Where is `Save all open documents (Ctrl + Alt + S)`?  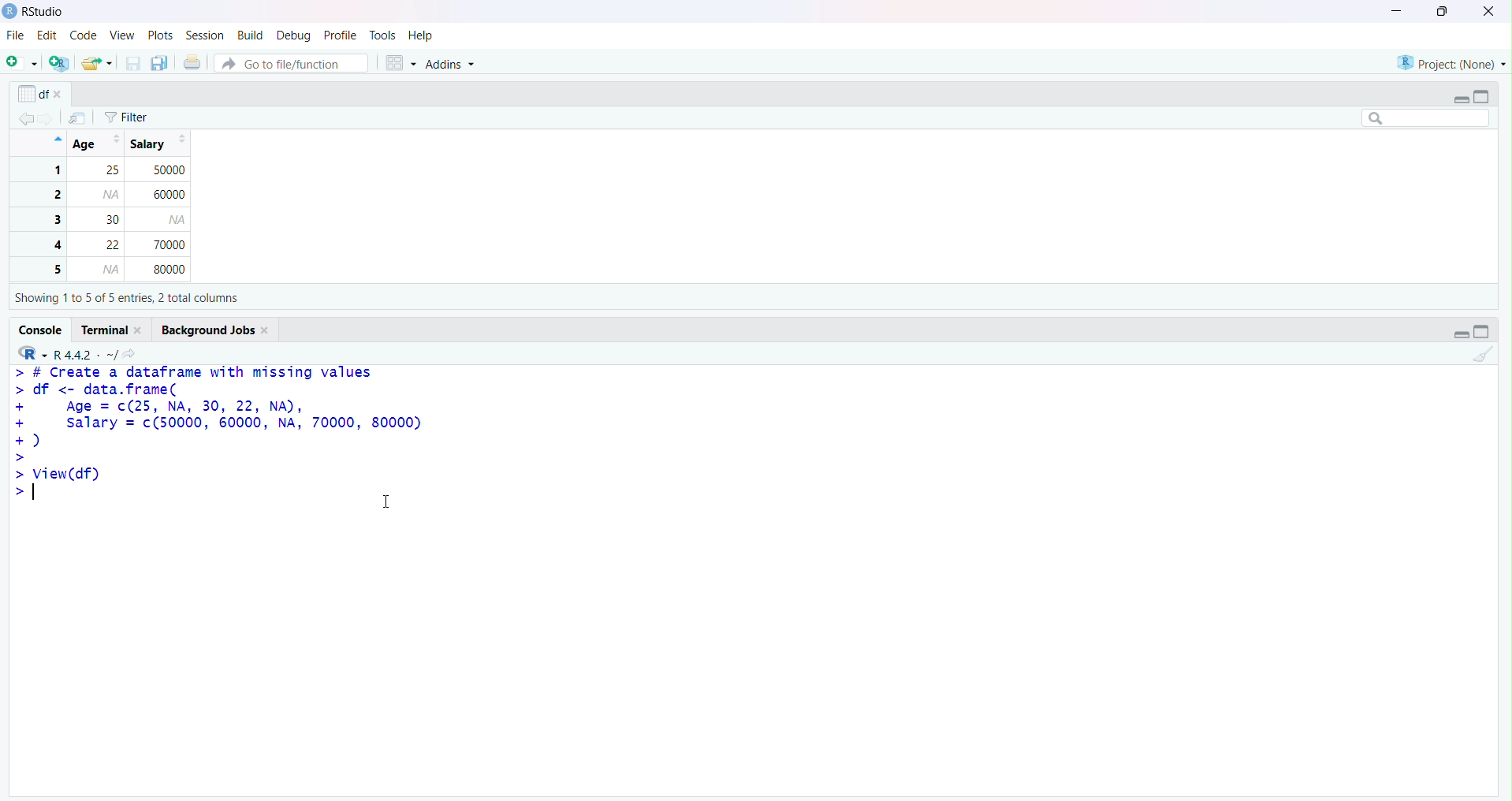
Save all open documents (Ctrl + Alt + S) is located at coordinates (159, 61).